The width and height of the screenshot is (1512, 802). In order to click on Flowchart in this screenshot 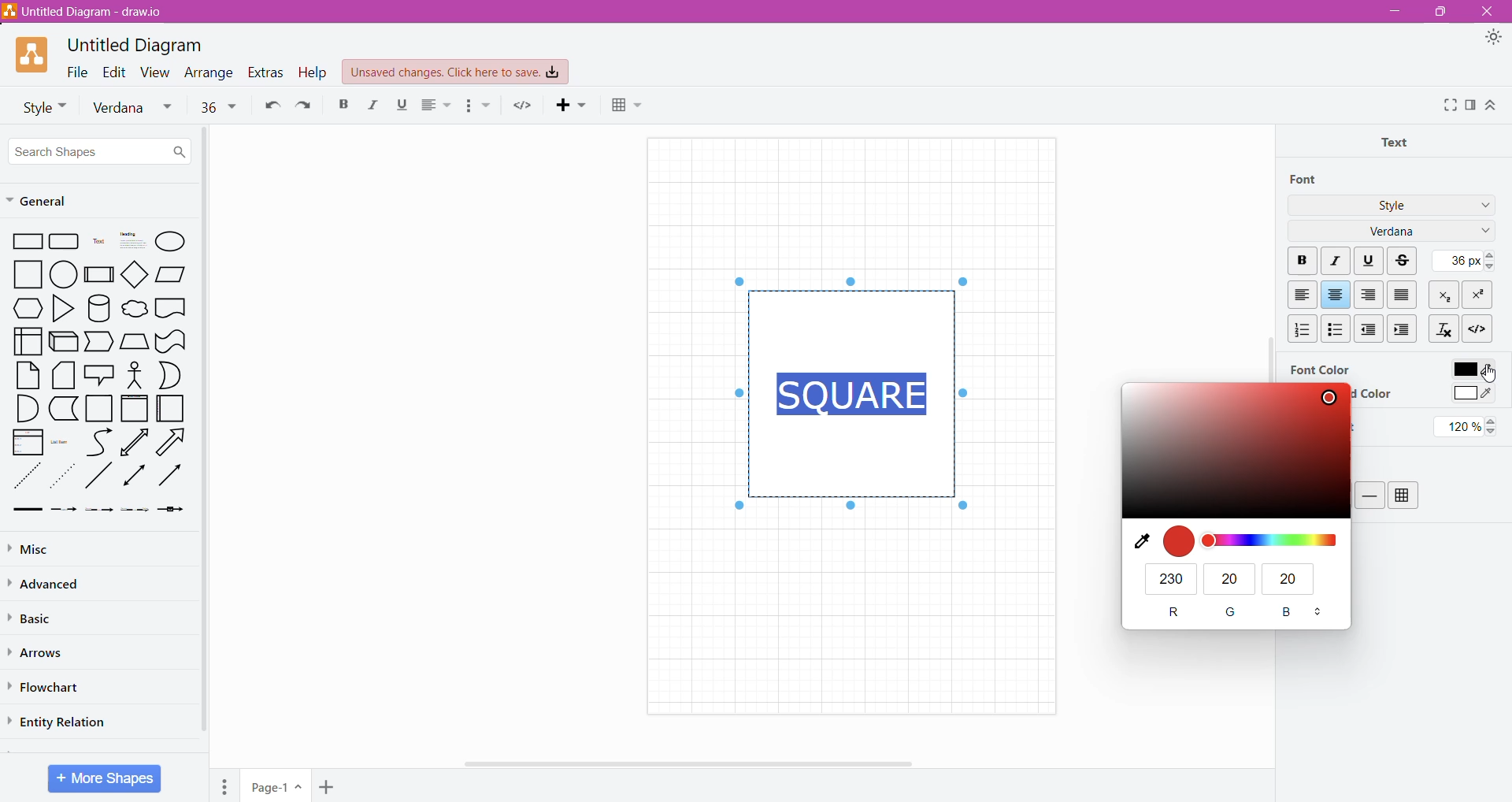, I will do `click(48, 688)`.